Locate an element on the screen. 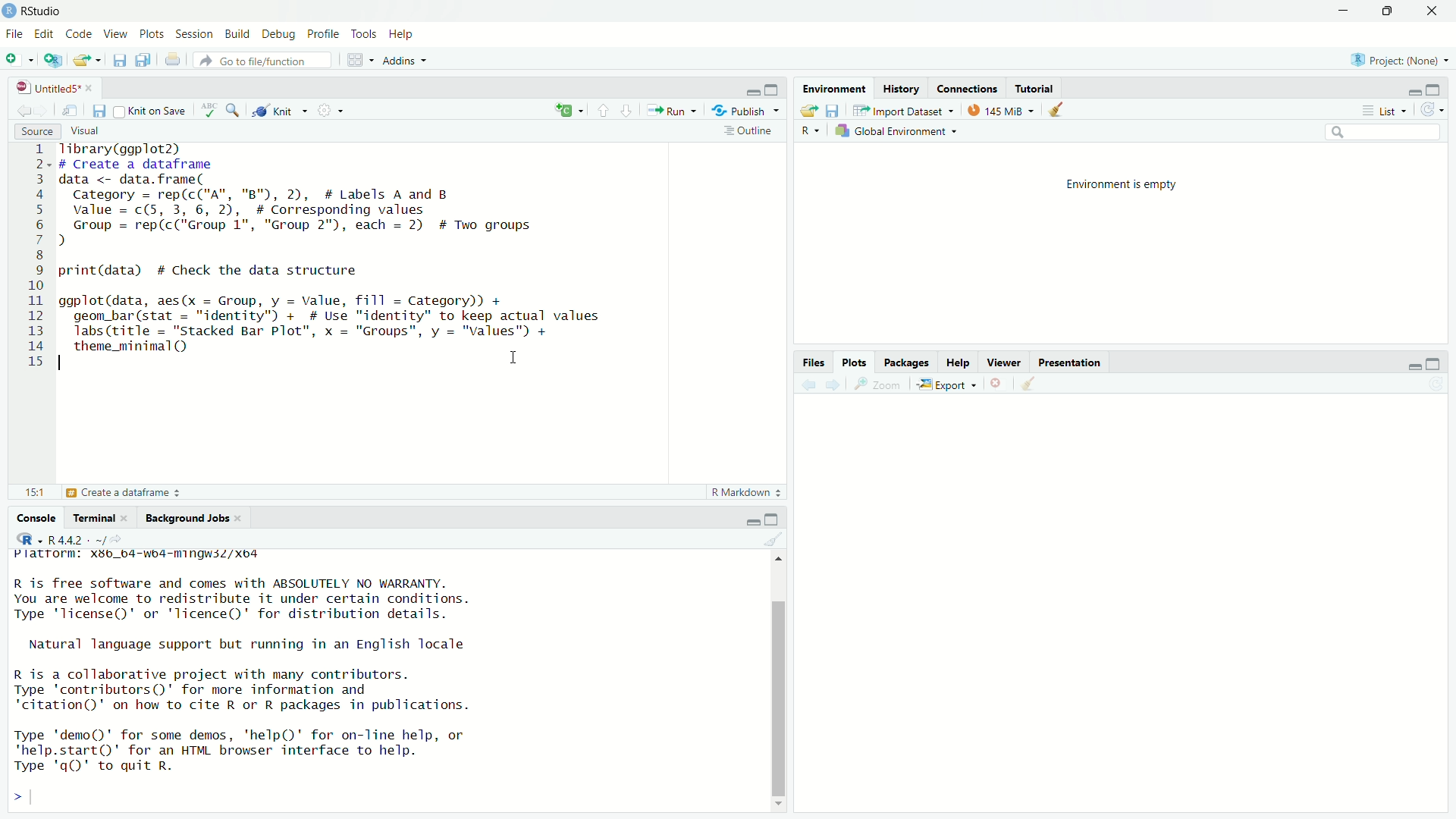 This screenshot has width=1456, height=819. Source is located at coordinates (36, 130).